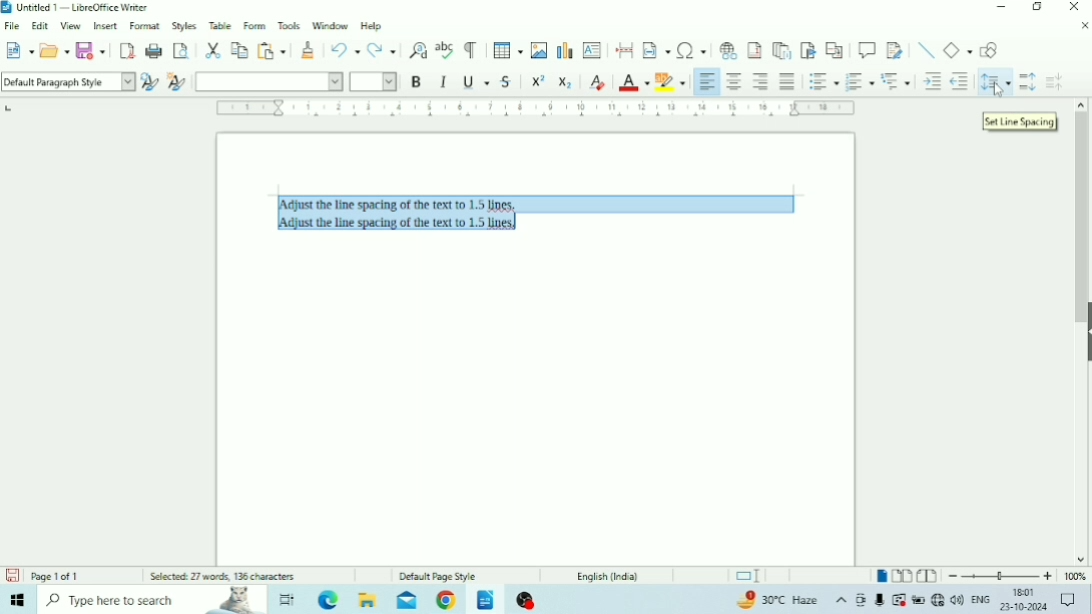 Image resolution: width=1092 pixels, height=614 pixels. Describe the element at coordinates (535, 108) in the screenshot. I see `Horizontal scale` at that location.